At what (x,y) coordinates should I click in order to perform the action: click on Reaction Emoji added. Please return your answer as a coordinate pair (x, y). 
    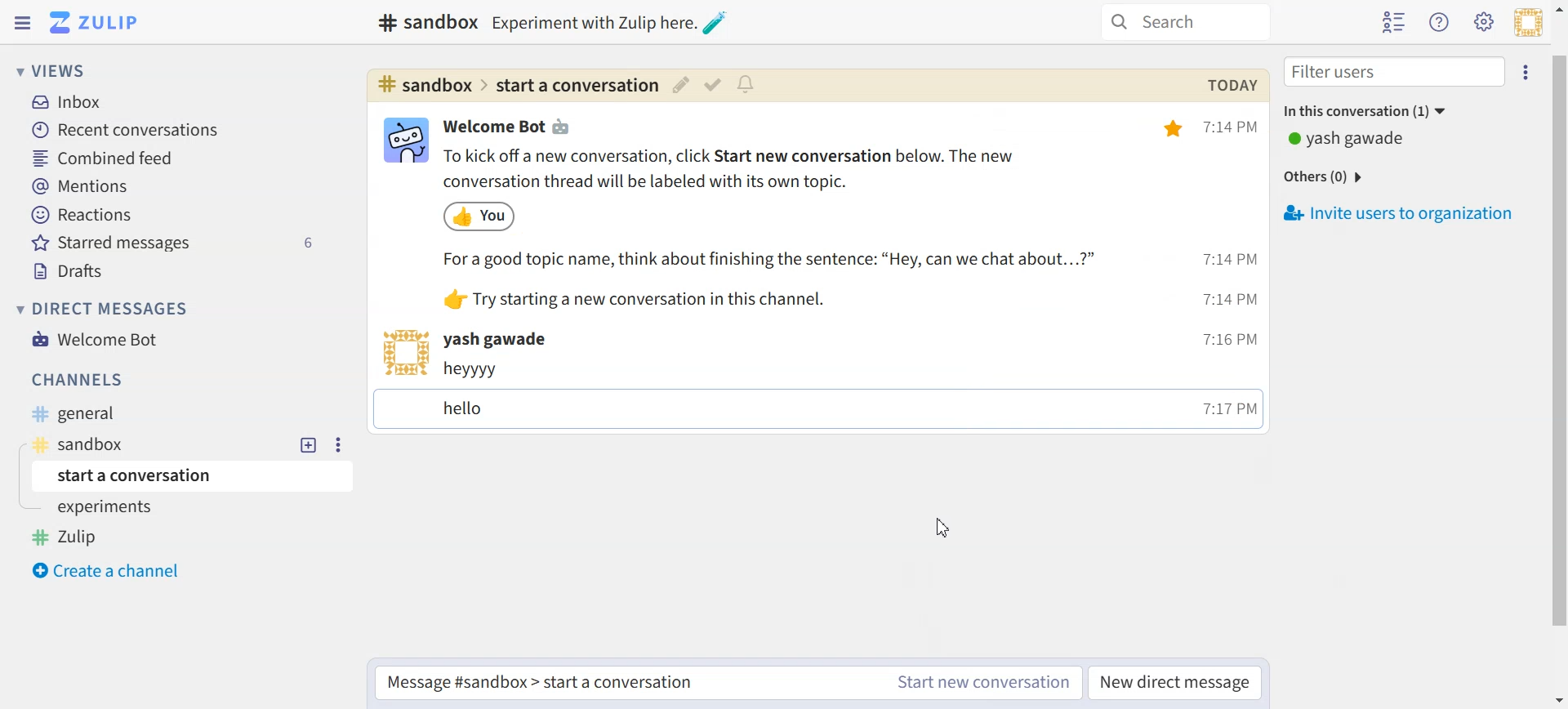
    Looking at the image, I should click on (481, 216).